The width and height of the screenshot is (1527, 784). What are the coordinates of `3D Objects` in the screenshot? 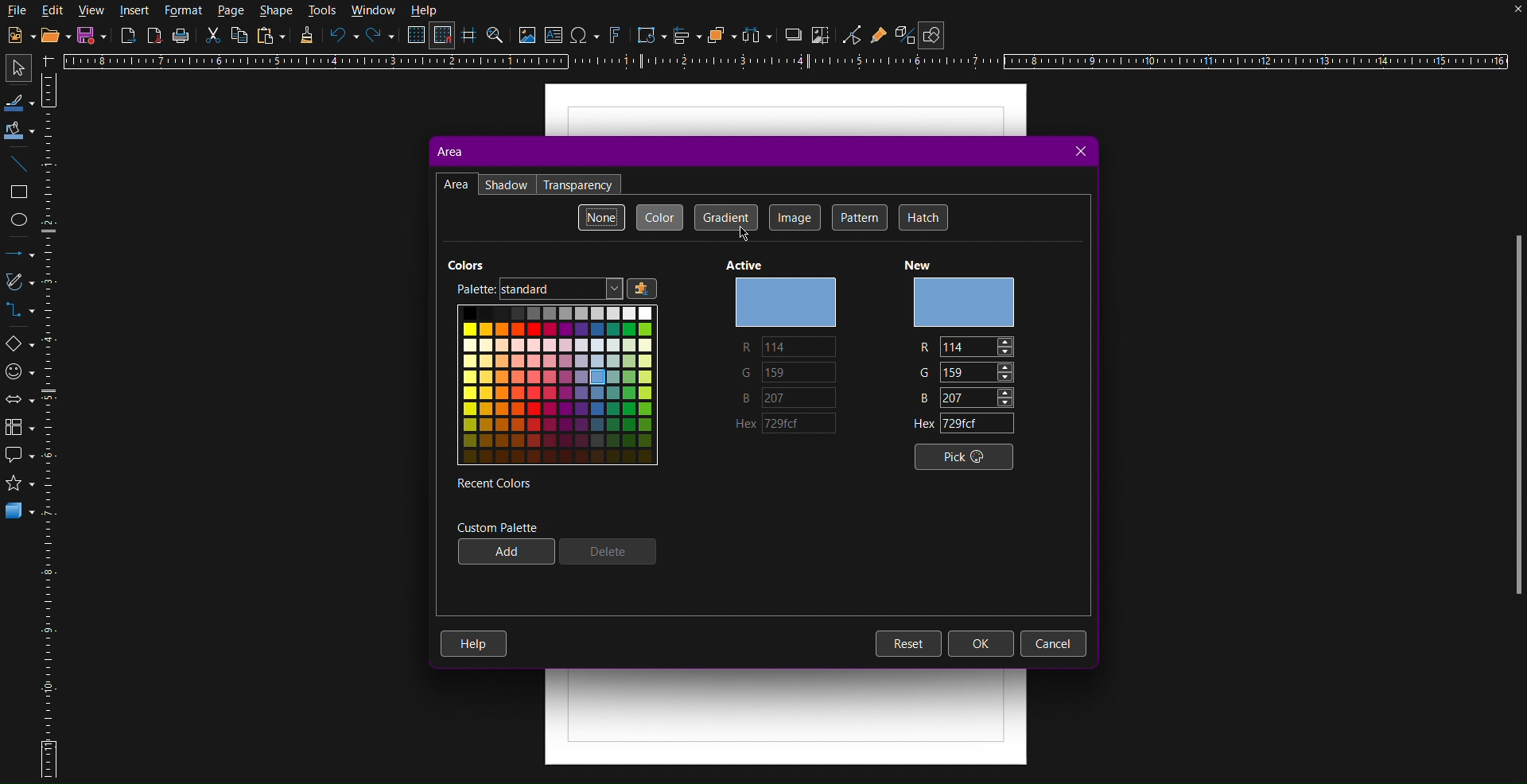 It's located at (20, 514).